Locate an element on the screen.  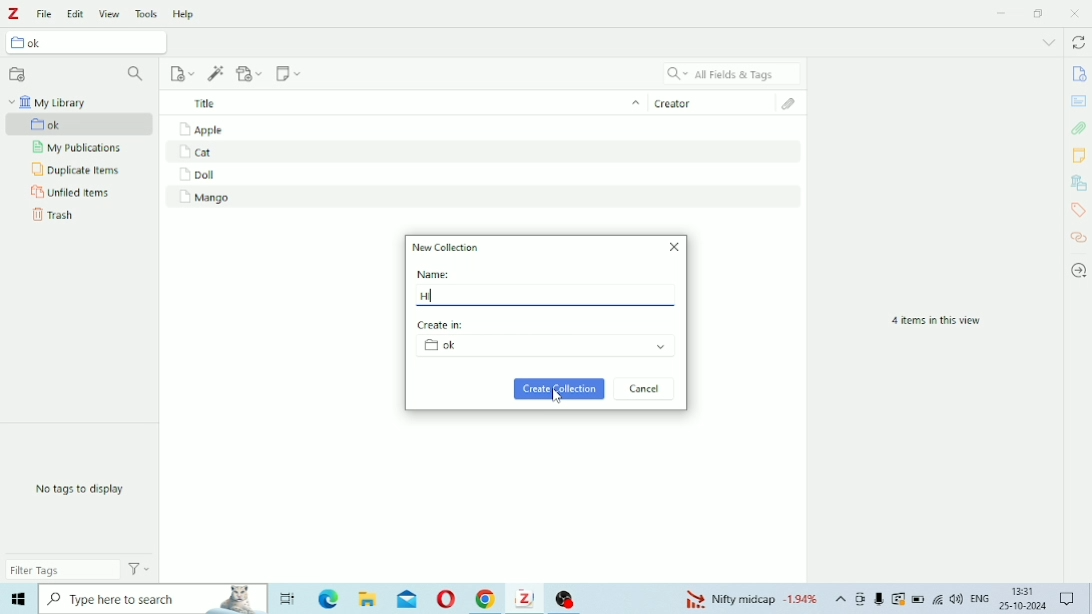
Duplicate Items is located at coordinates (76, 170).